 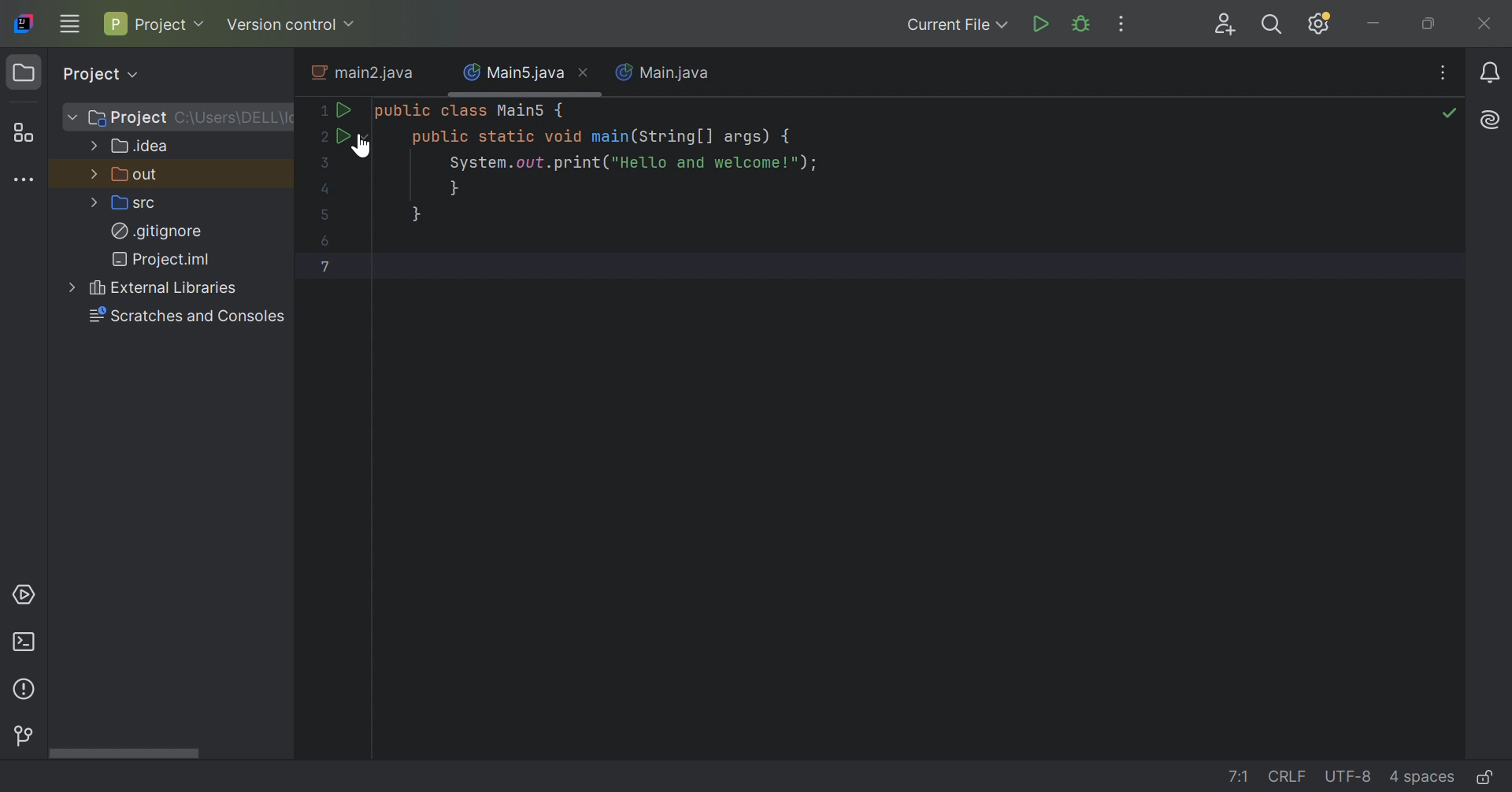 I want to click on AI Assistant, so click(x=1492, y=119).